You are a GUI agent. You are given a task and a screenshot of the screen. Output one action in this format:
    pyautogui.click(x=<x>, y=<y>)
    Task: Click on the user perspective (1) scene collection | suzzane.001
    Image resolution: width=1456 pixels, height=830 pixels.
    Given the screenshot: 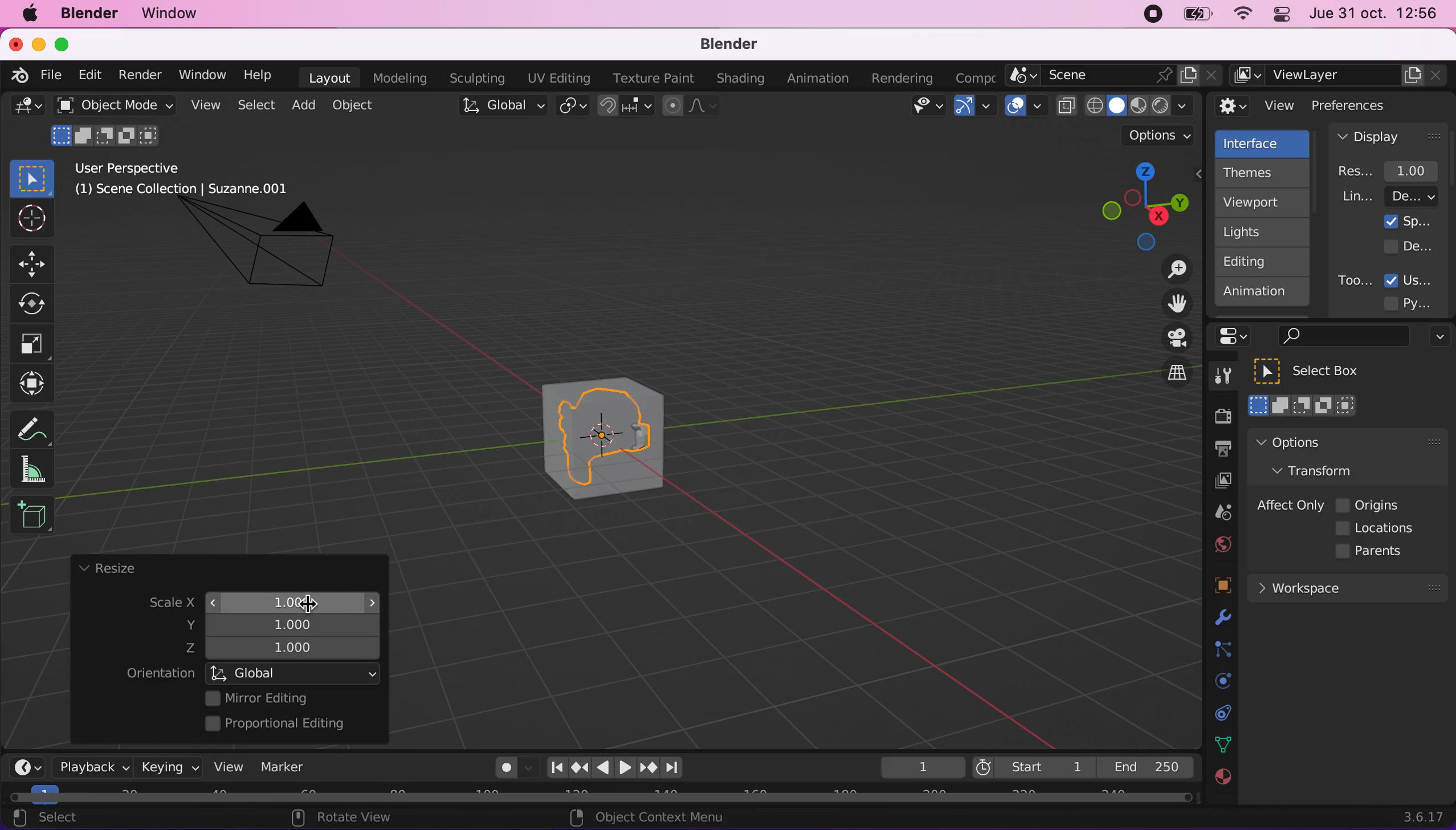 What is the action you would take?
    pyautogui.click(x=190, y=180)
    